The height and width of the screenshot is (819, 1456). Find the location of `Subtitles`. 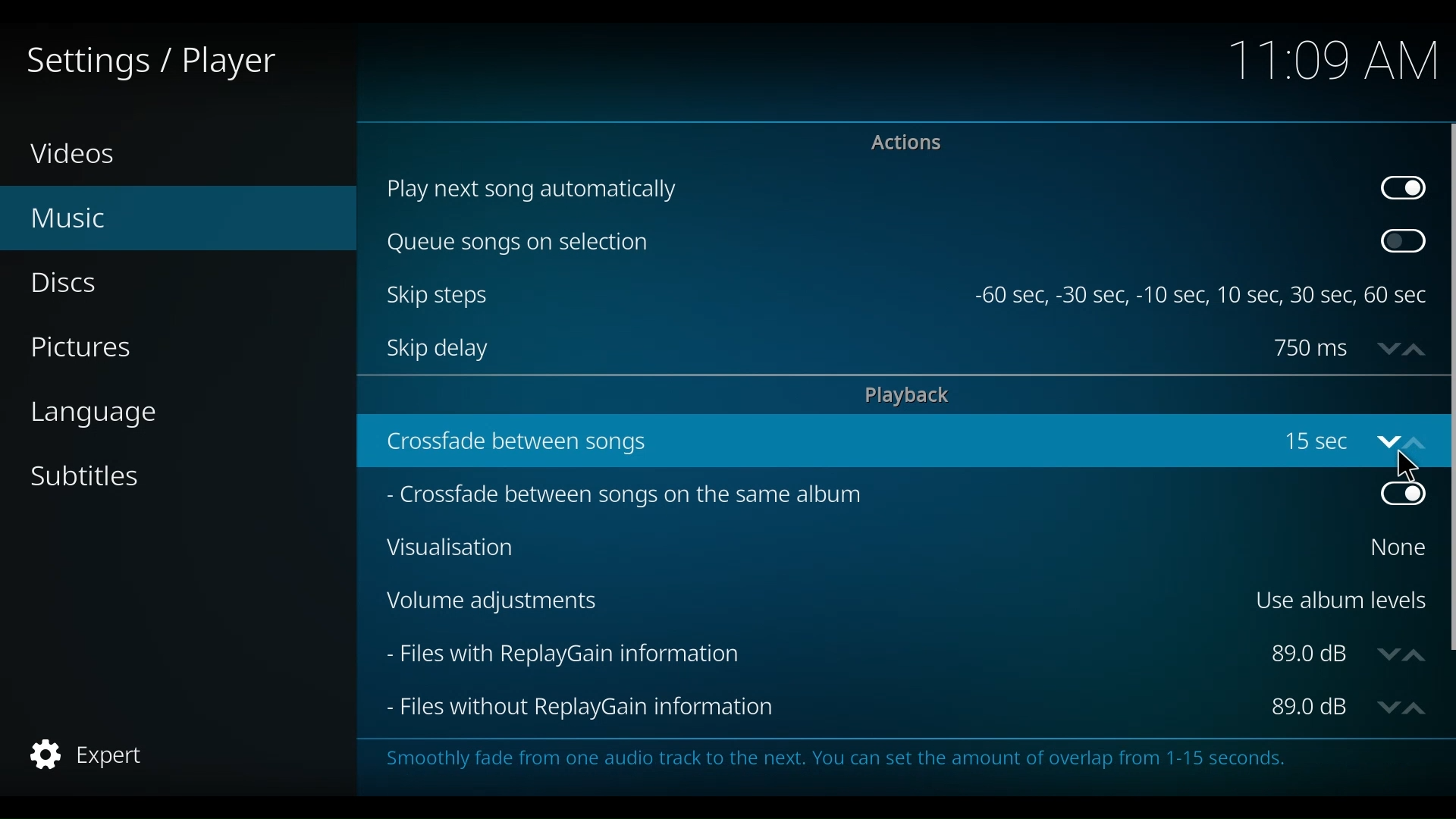

Subtitles is located at coordinates (93, 479).